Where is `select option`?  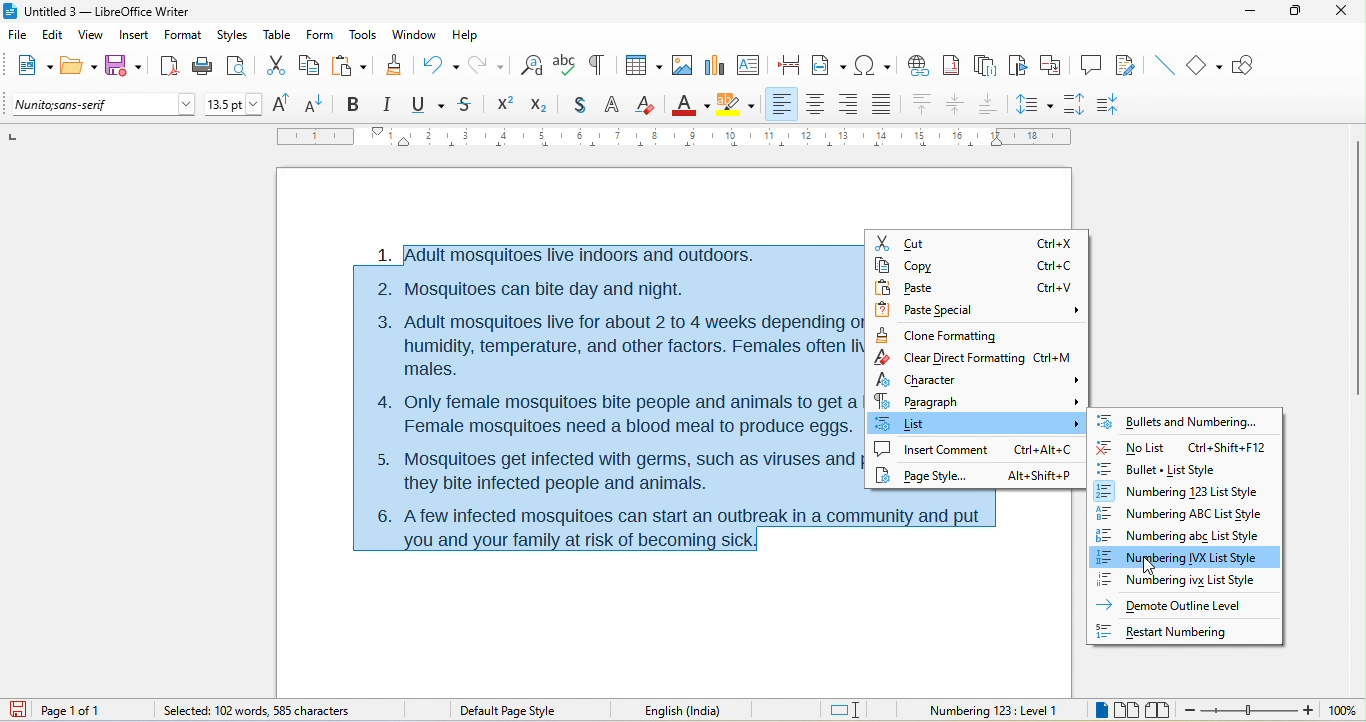
select option is located at coordinates (979, 423).